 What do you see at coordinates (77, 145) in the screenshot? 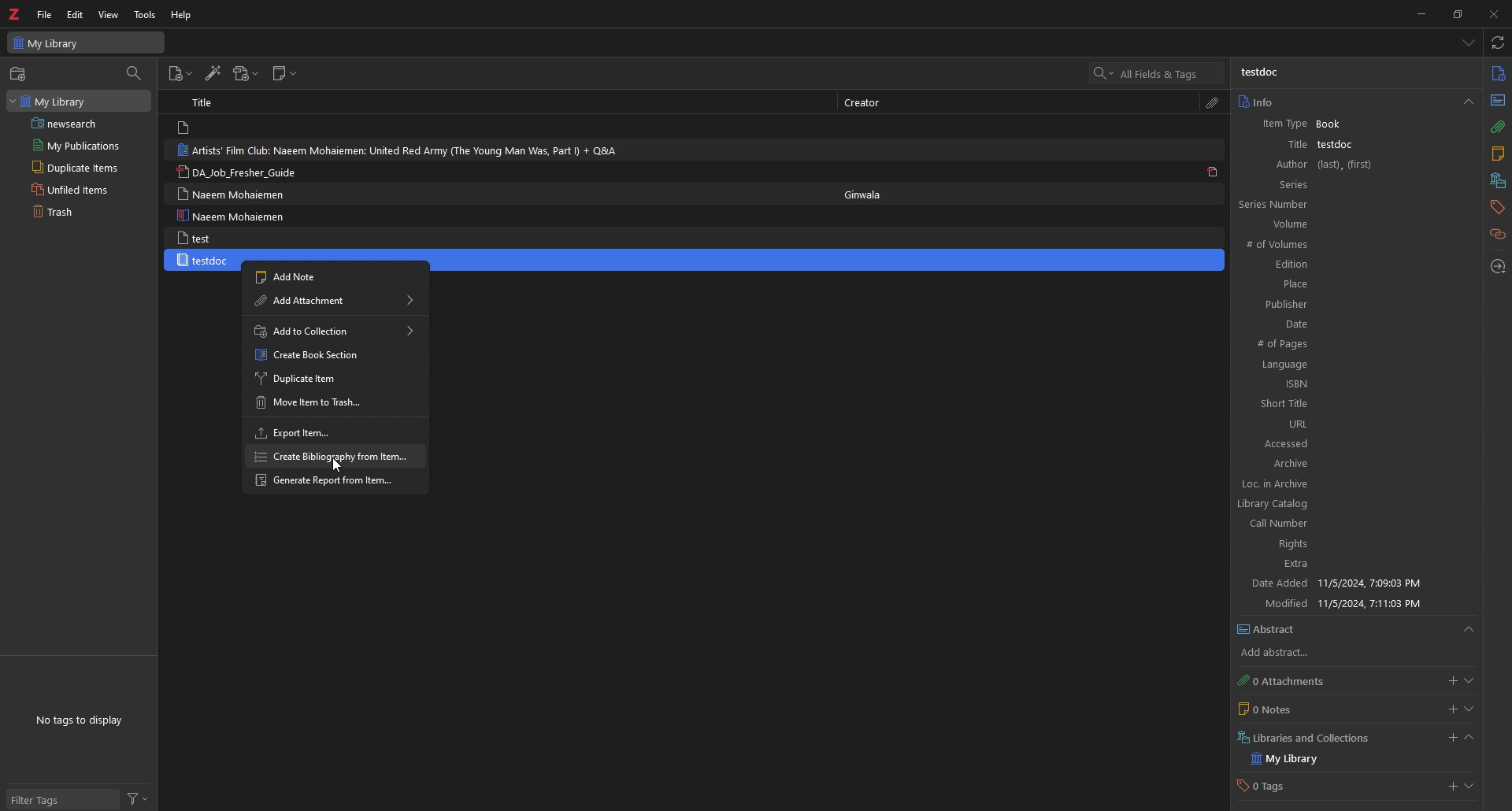
I see `my publications` at bounding box center [77, 145].